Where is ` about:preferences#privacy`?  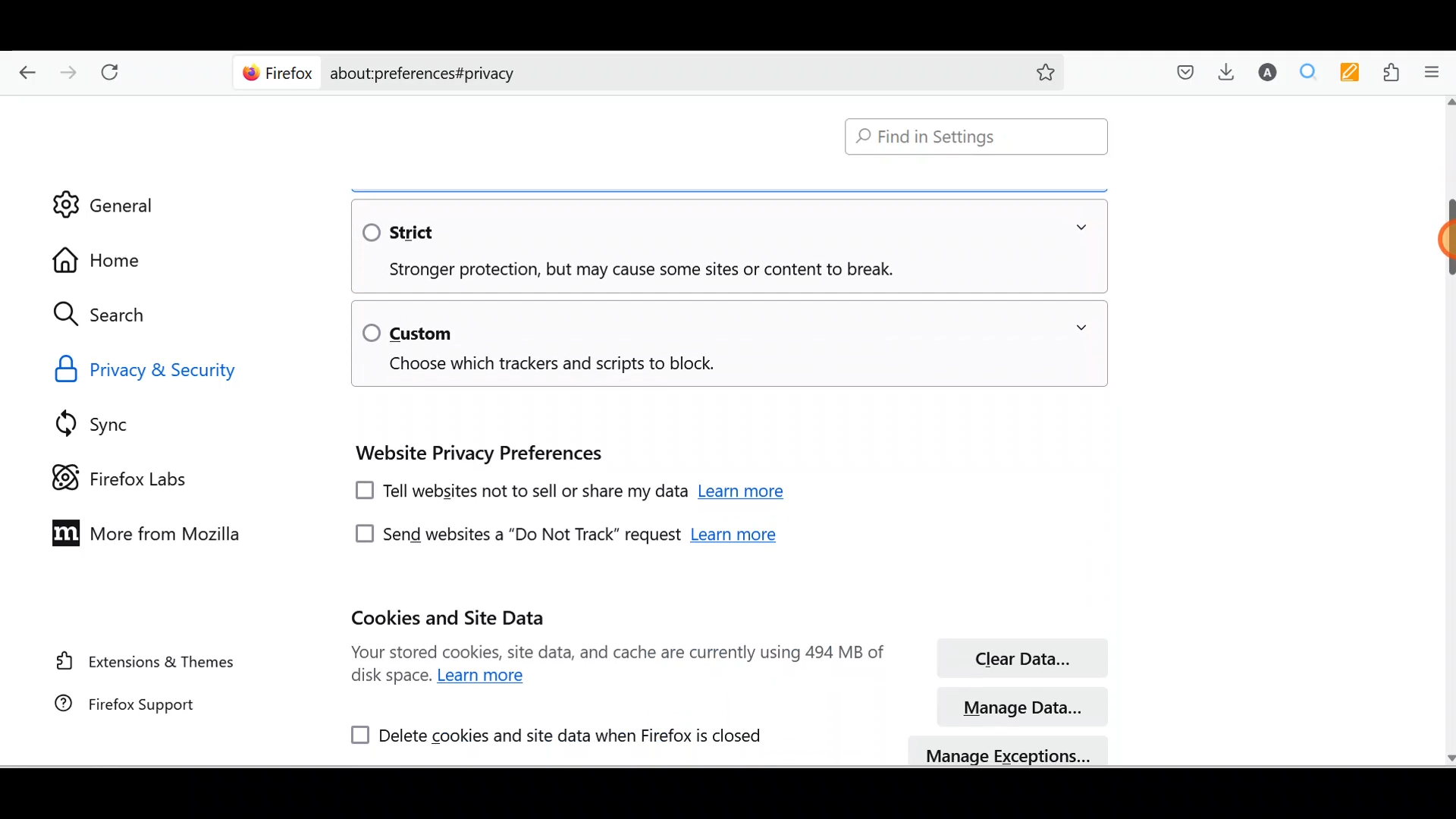
 about:preferences#privacy is located at coordinates (669, 74).